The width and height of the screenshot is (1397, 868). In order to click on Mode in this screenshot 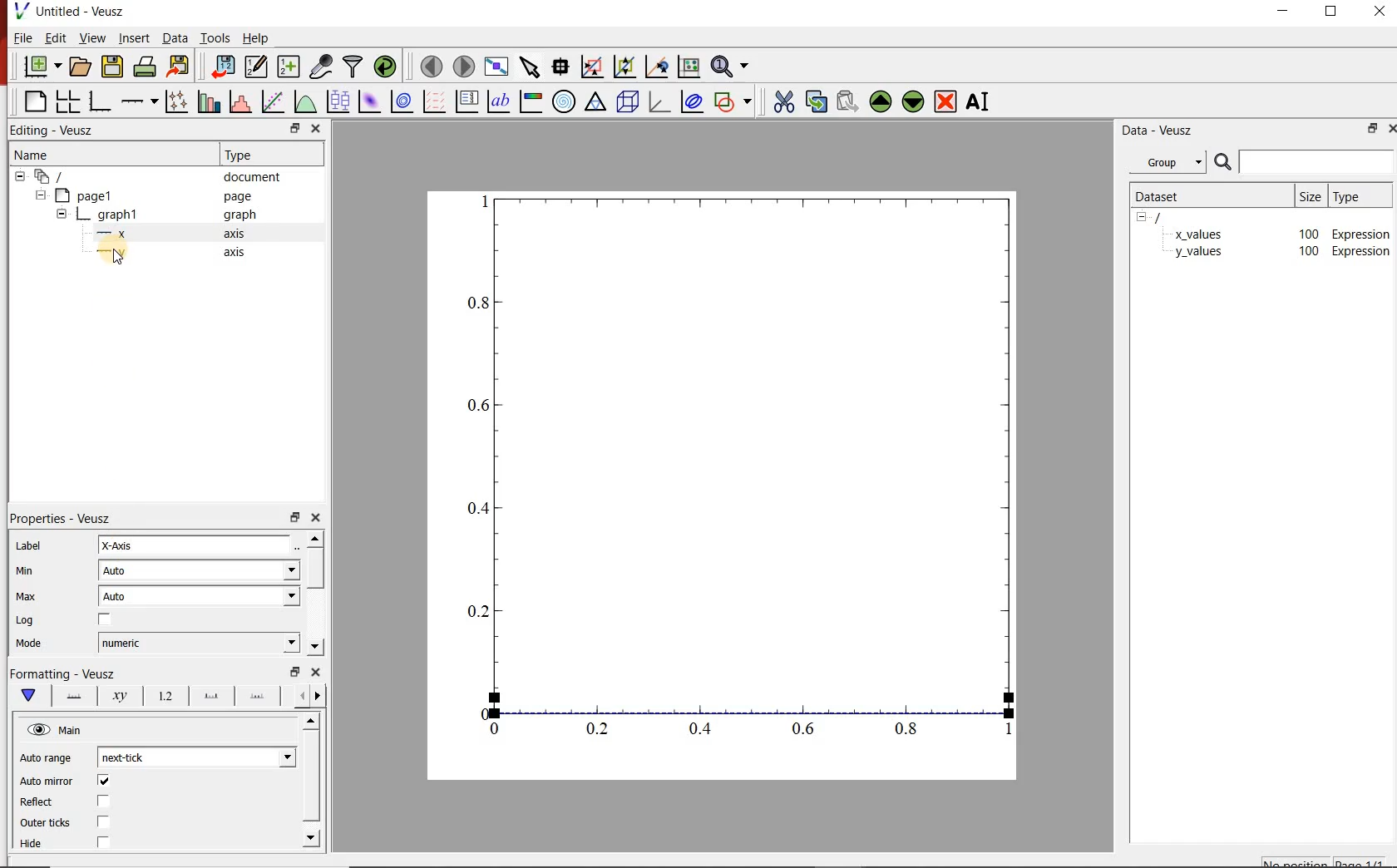, I will do `click(29, 643)`.